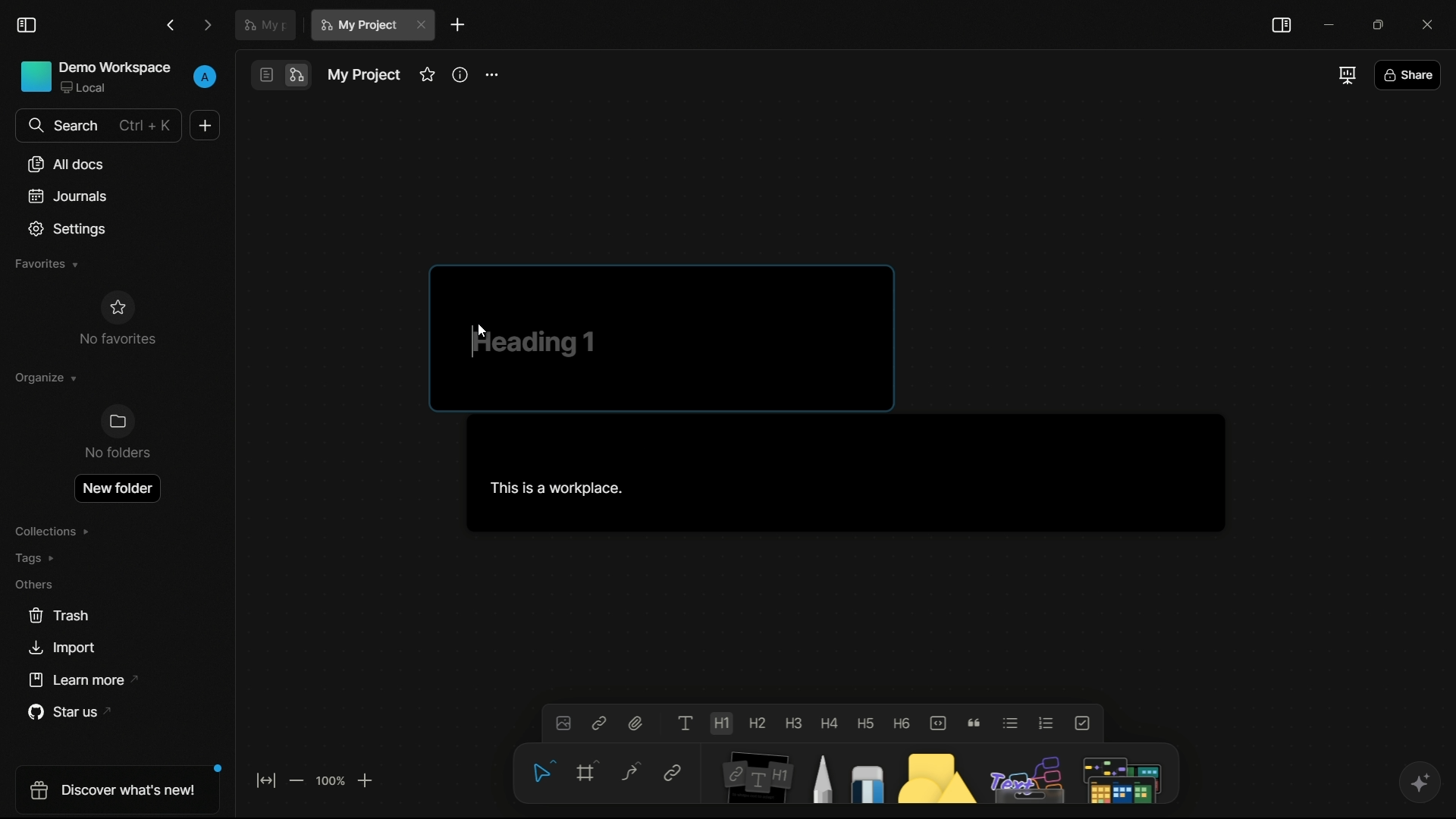 This screenshot has height=819, width=1456. What do you see at coordinates (481, 329) in the screenshot?
I see `Cursor` at bounding box center [481, 329].